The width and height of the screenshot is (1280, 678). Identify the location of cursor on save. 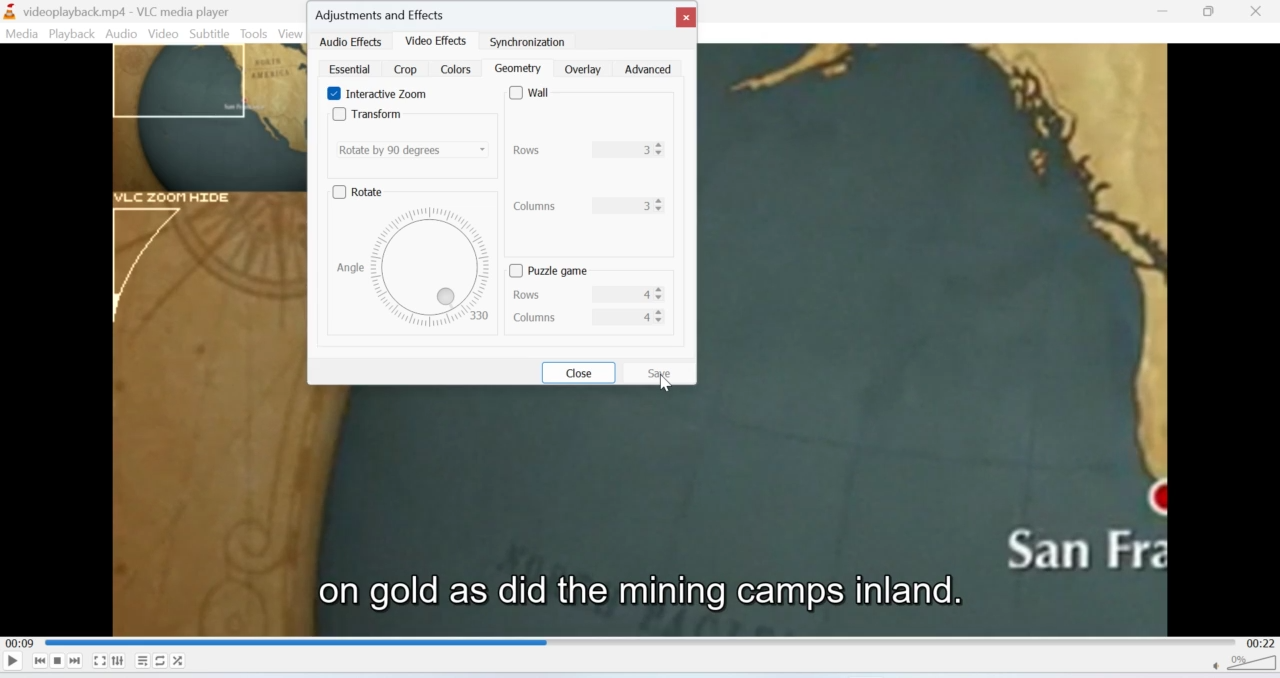
(664, 387).